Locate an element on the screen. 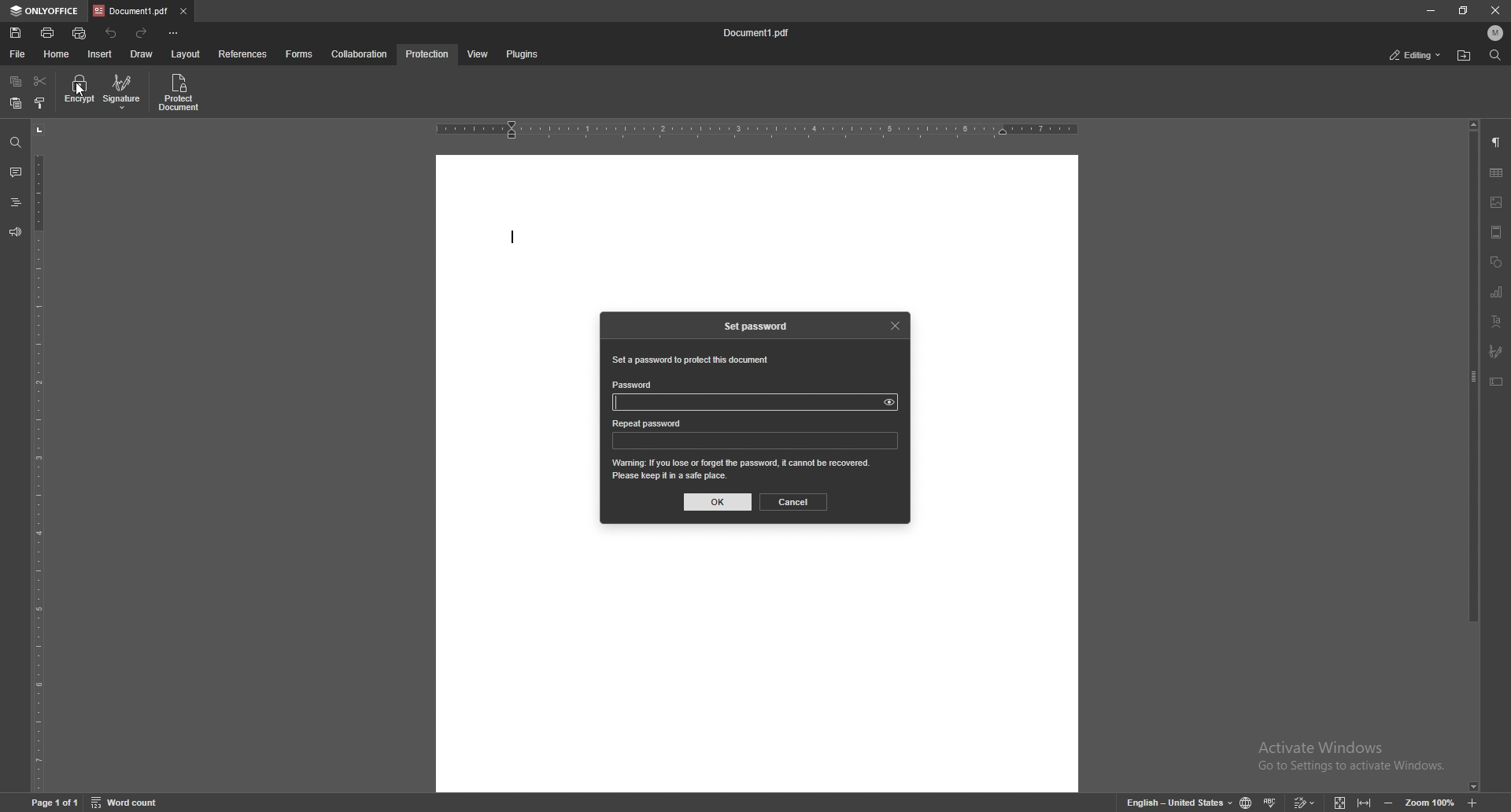 The image size is (1511, 812). close is located at coordinates (1495, 12).